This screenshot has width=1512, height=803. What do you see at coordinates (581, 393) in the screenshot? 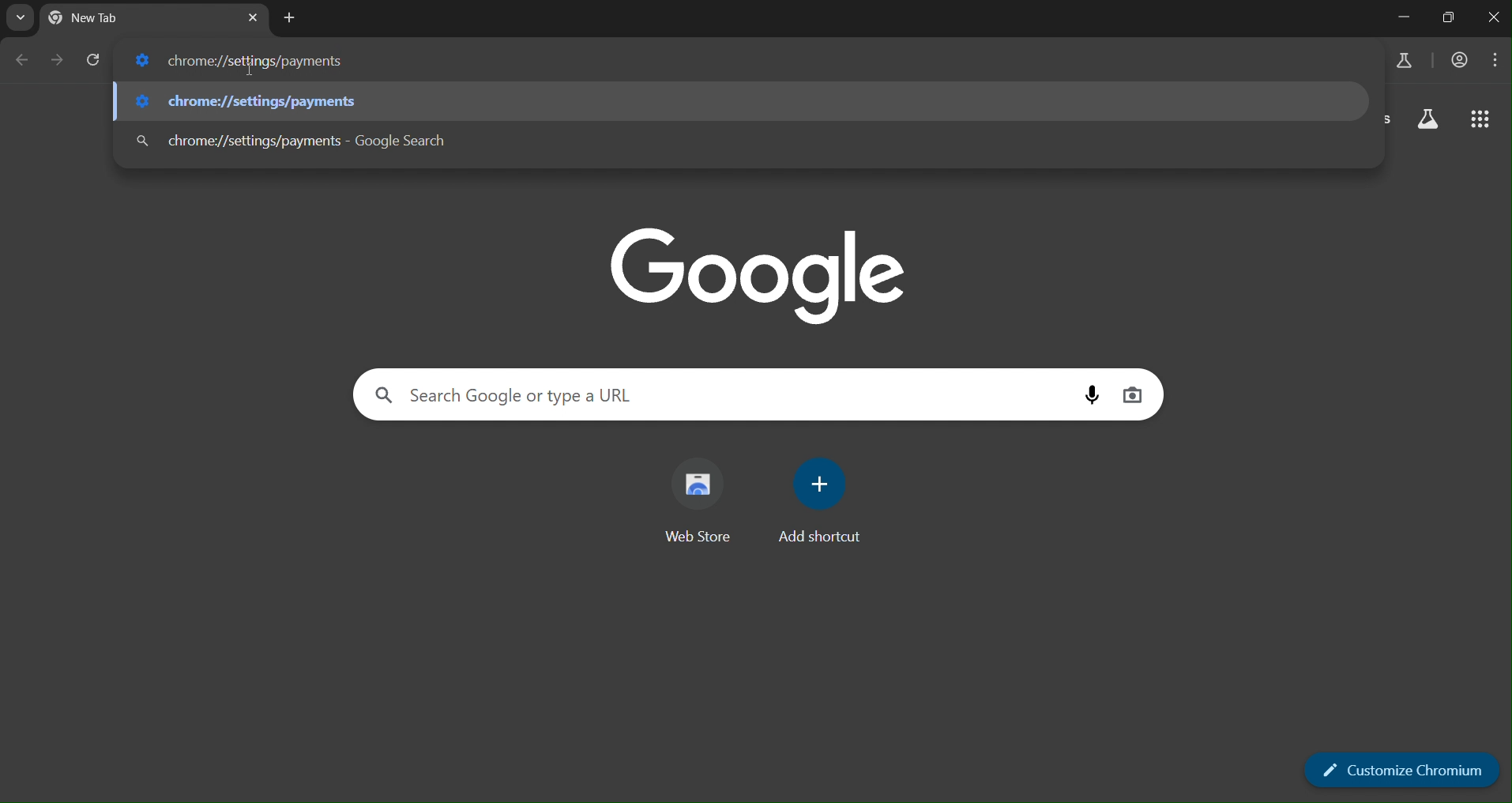
I see `search Google or type a URL` at bounding box center [581, 393].